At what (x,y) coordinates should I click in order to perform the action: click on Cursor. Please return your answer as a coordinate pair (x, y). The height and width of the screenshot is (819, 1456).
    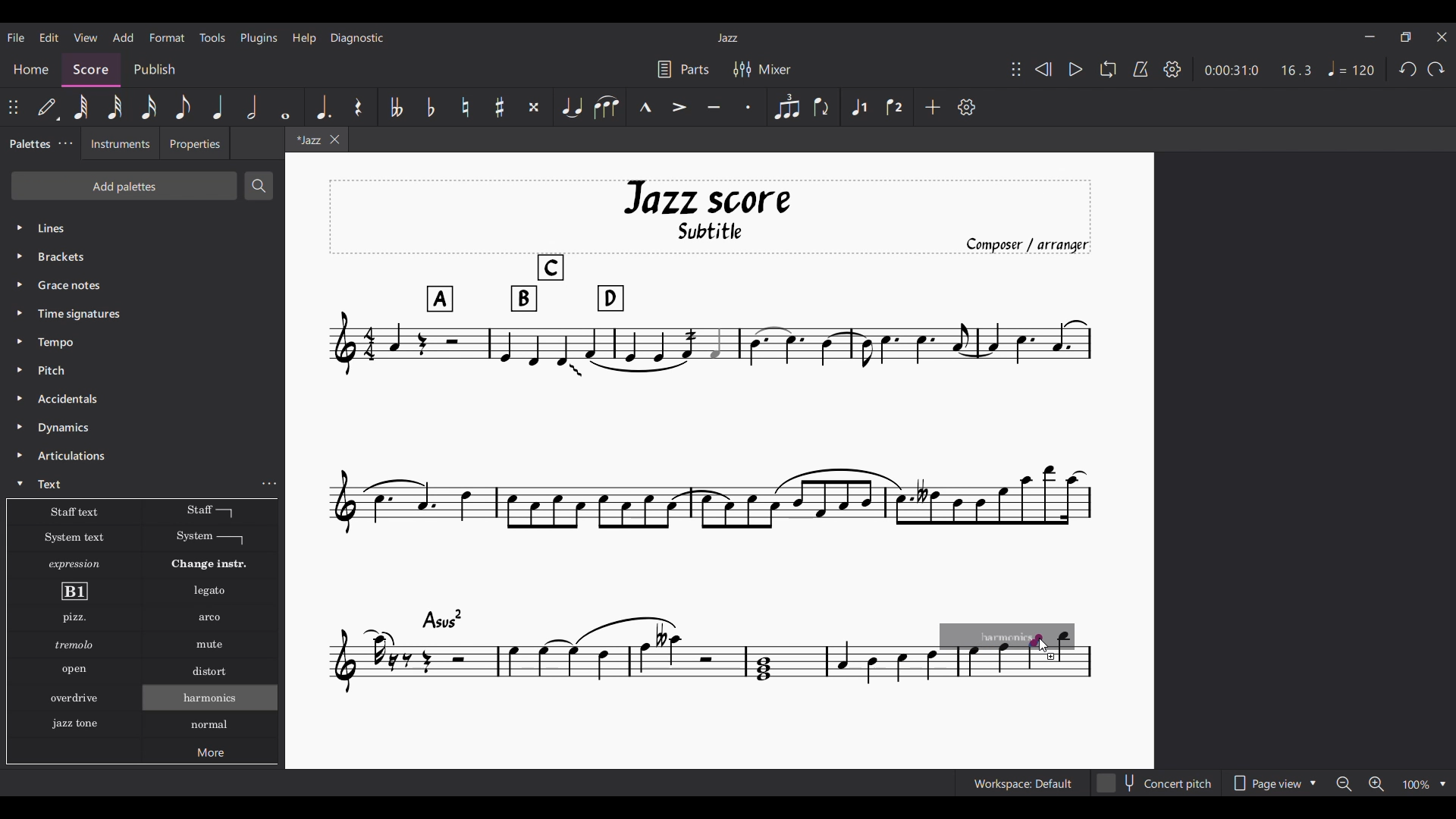
    Looking at the image, I should click on (1045, 645).